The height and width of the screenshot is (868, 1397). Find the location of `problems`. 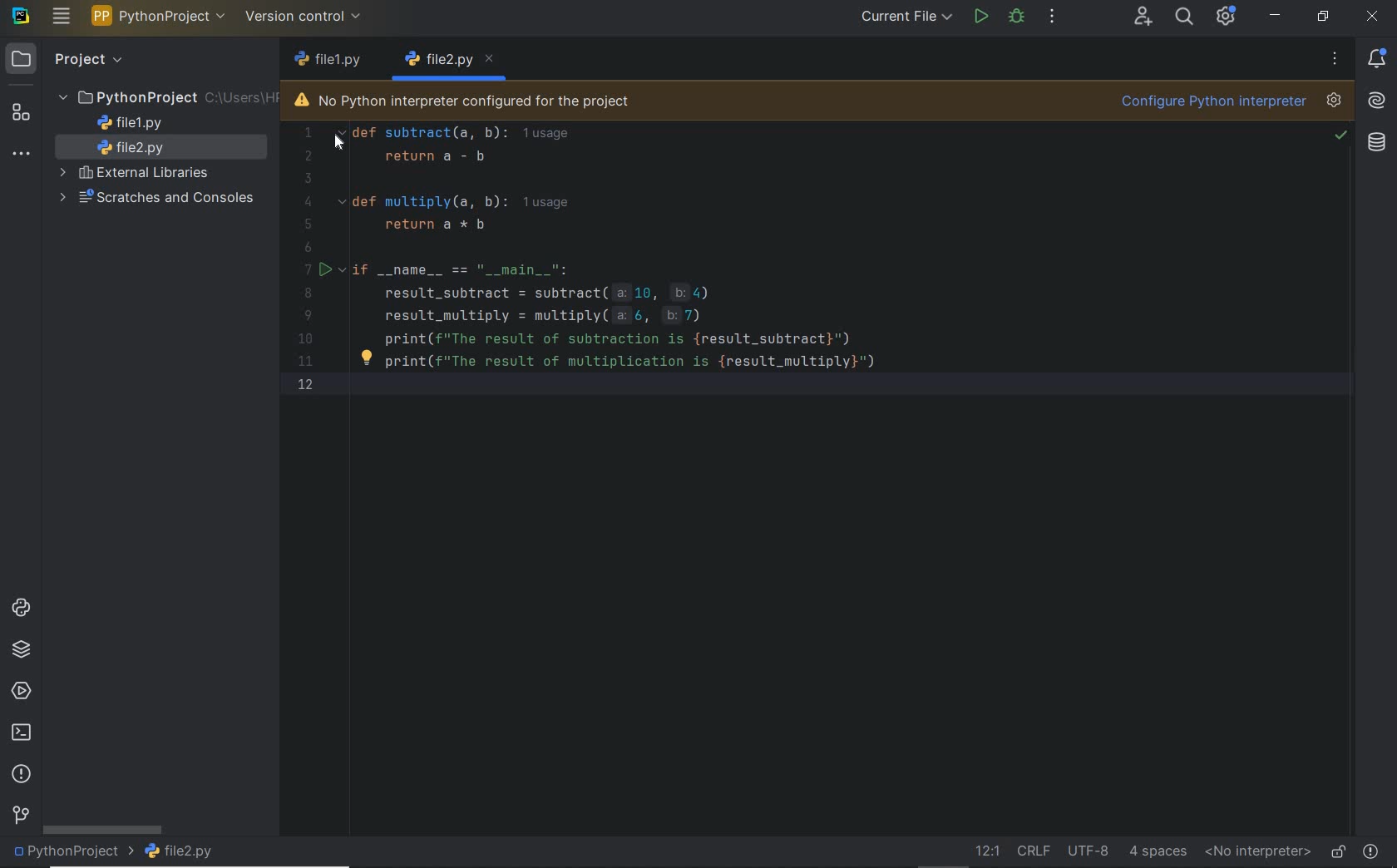

problems is located at coordinates (1372, 849).